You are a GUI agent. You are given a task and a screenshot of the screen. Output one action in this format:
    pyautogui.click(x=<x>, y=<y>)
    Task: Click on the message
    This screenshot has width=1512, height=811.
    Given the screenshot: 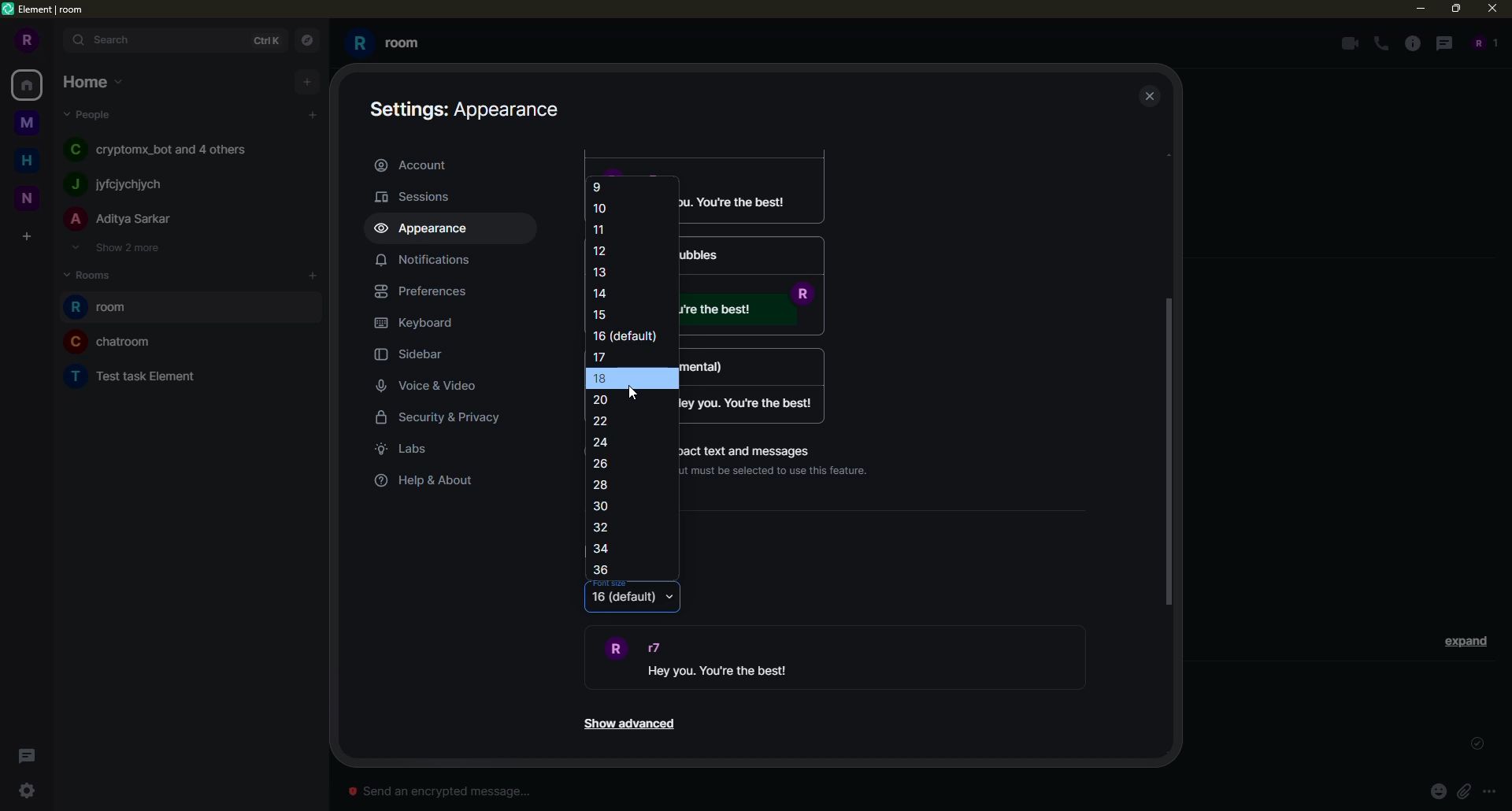 What is the action you would take?
    pyautogui.click(x=751, y=403)
    